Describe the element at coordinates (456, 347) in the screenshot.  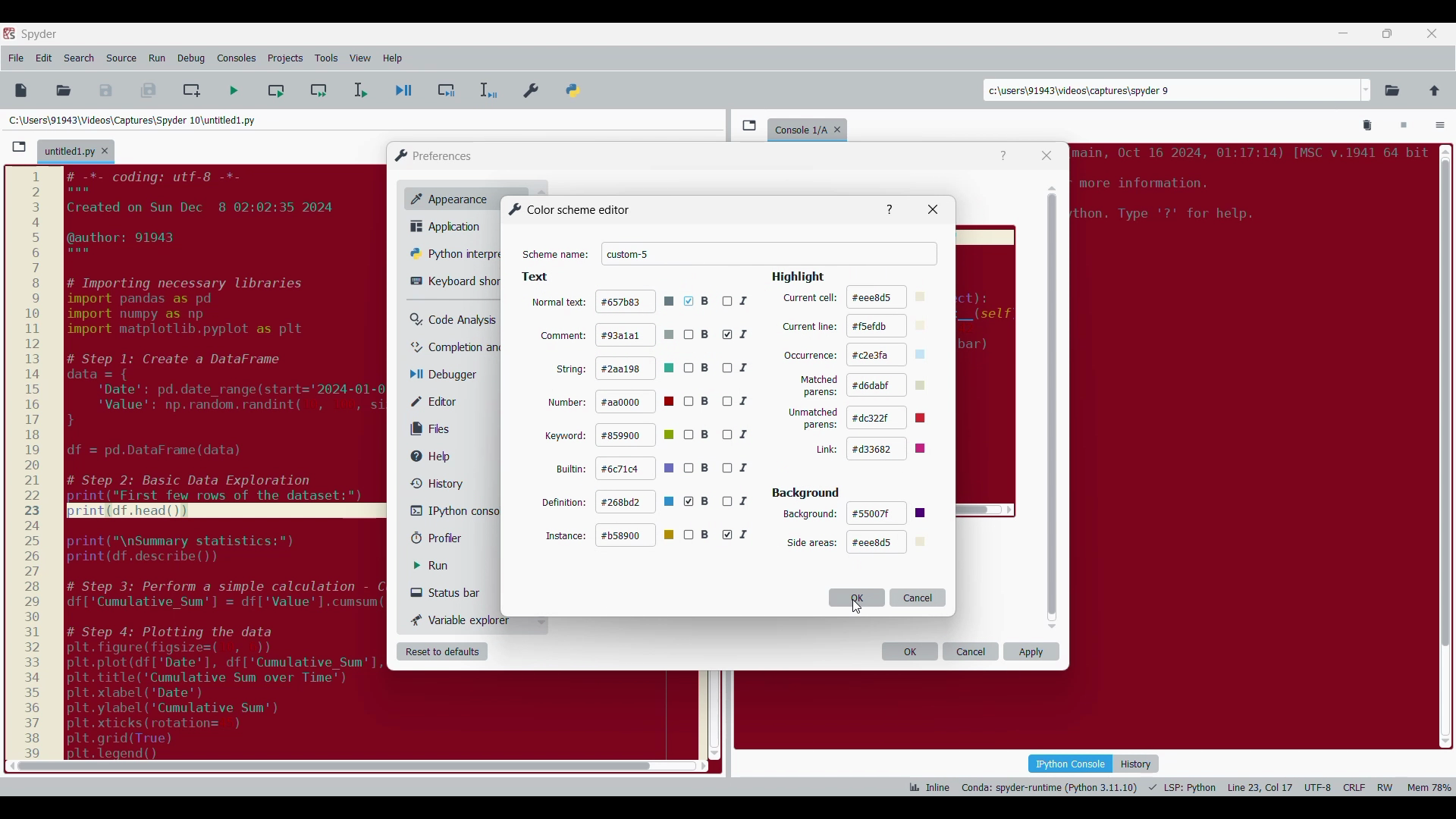
I see `Completion and linting` at that location.